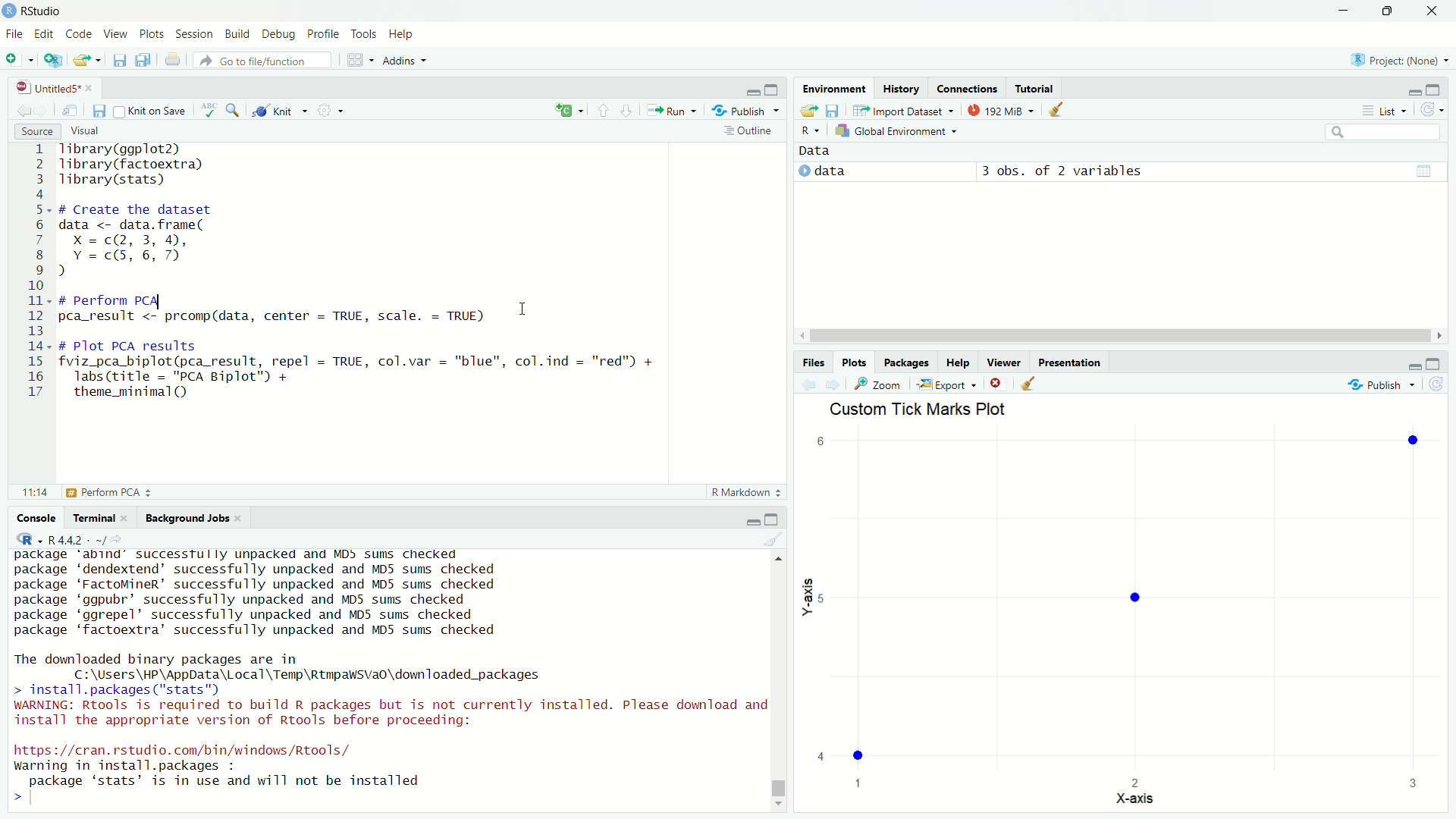  I want to click on refresh, so click(1430, 110).